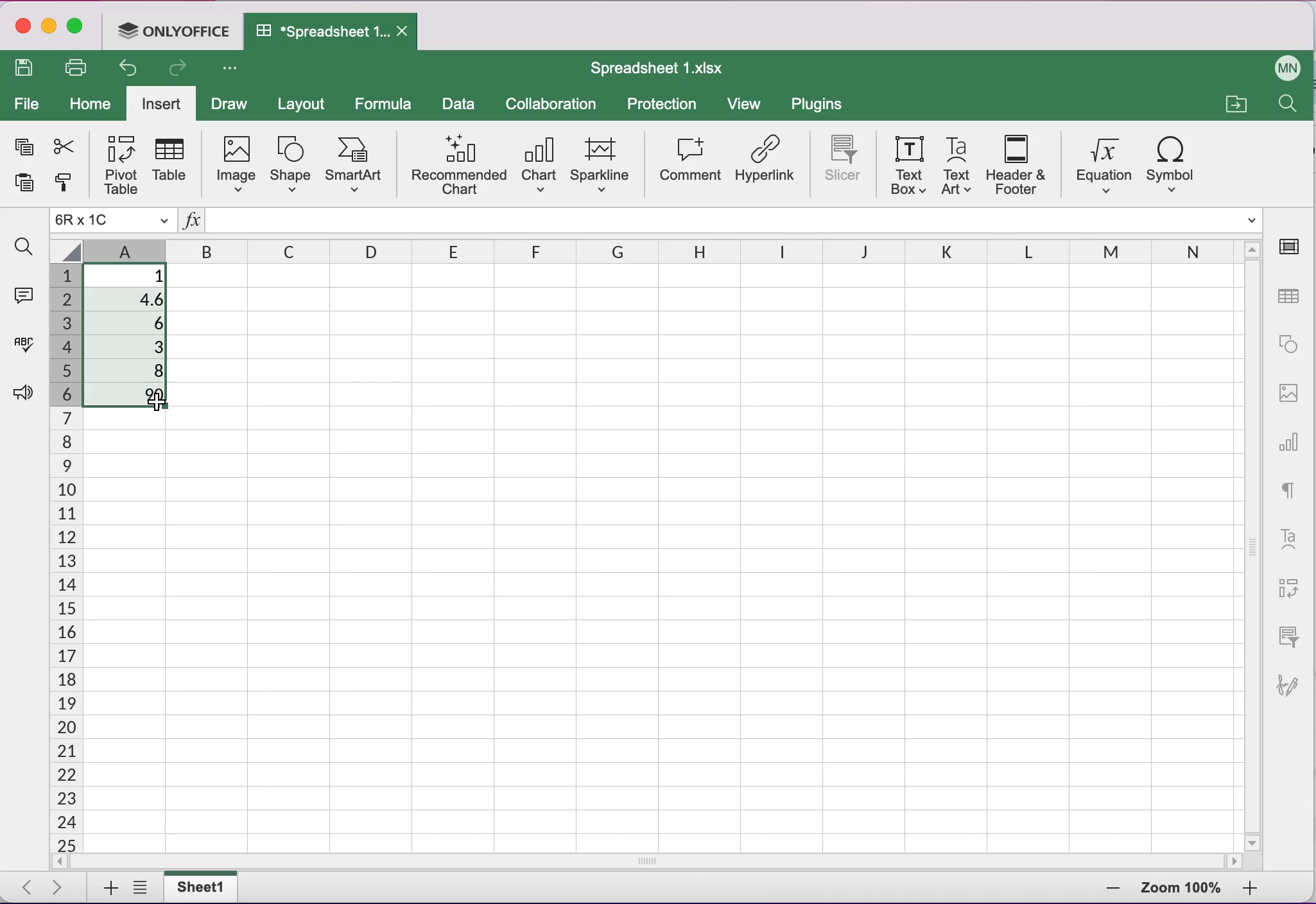 The image size is (1316, 904). What do you see at coordinates (1290, 342) in the screenshot?
I see `shape` at bounding box center [1290, 342].